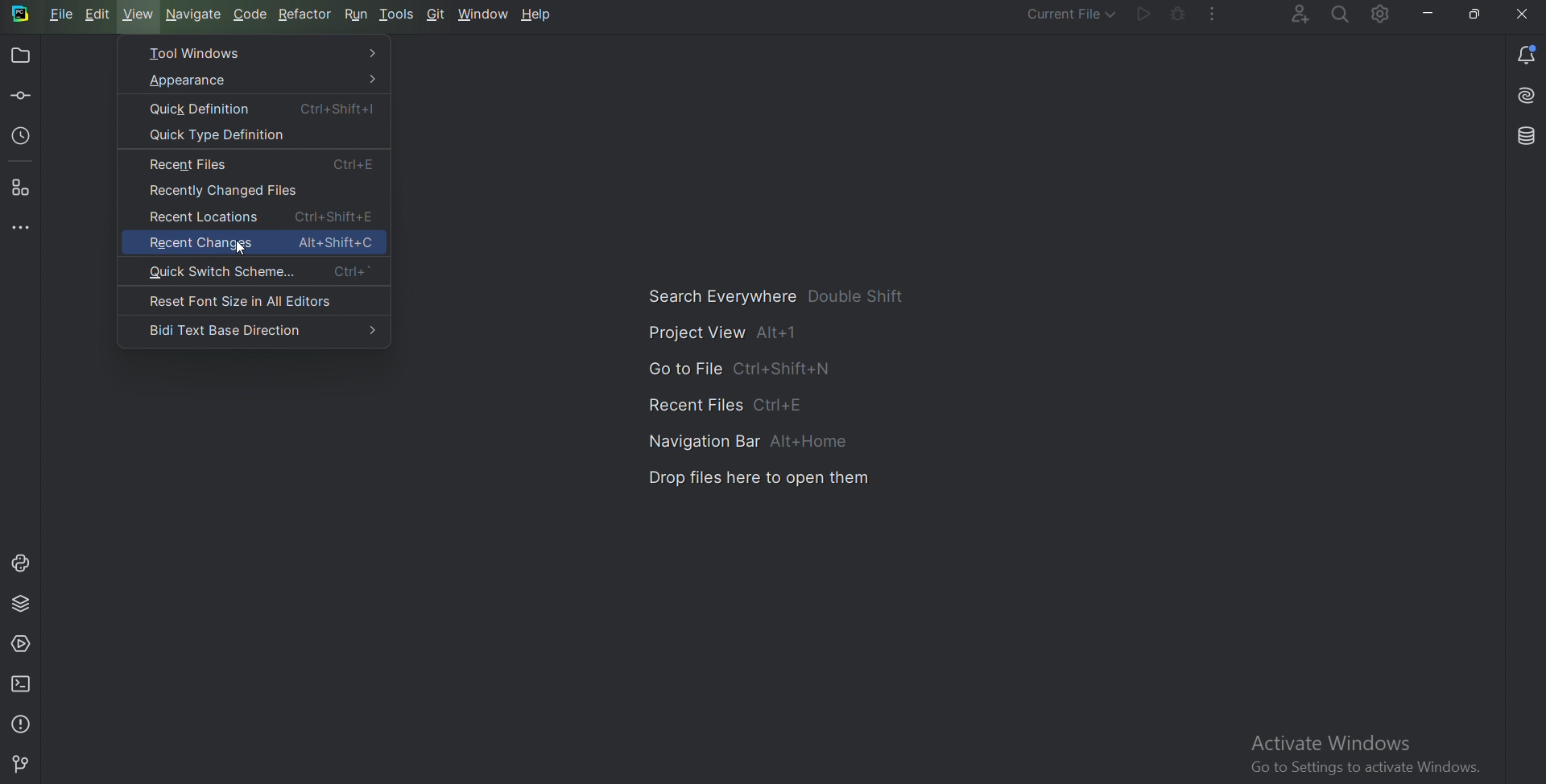  I want to click on Commit, so click(20, 97).